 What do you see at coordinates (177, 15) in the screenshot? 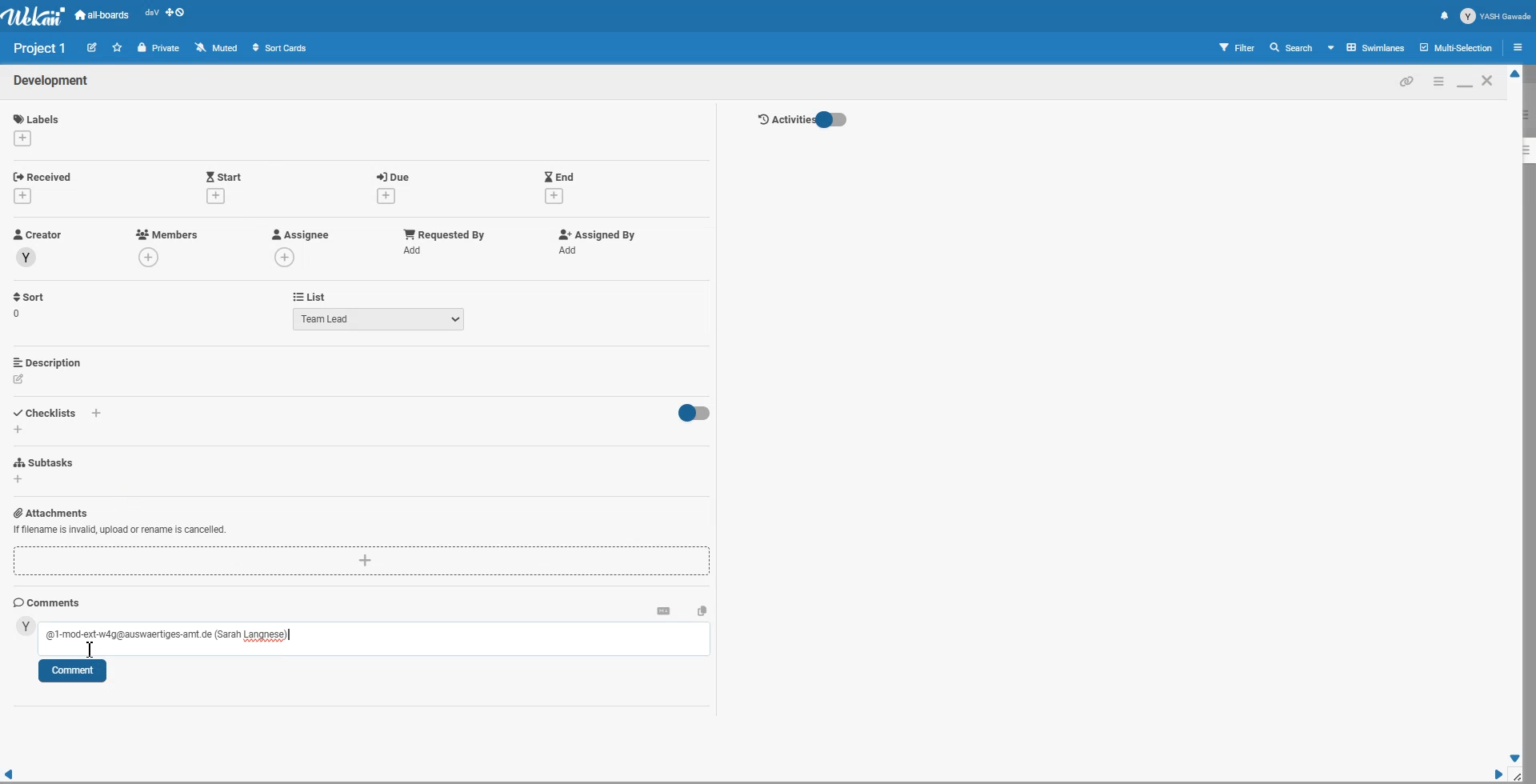
I see `Show desktop drag handle` at bounding box center [177, 15].